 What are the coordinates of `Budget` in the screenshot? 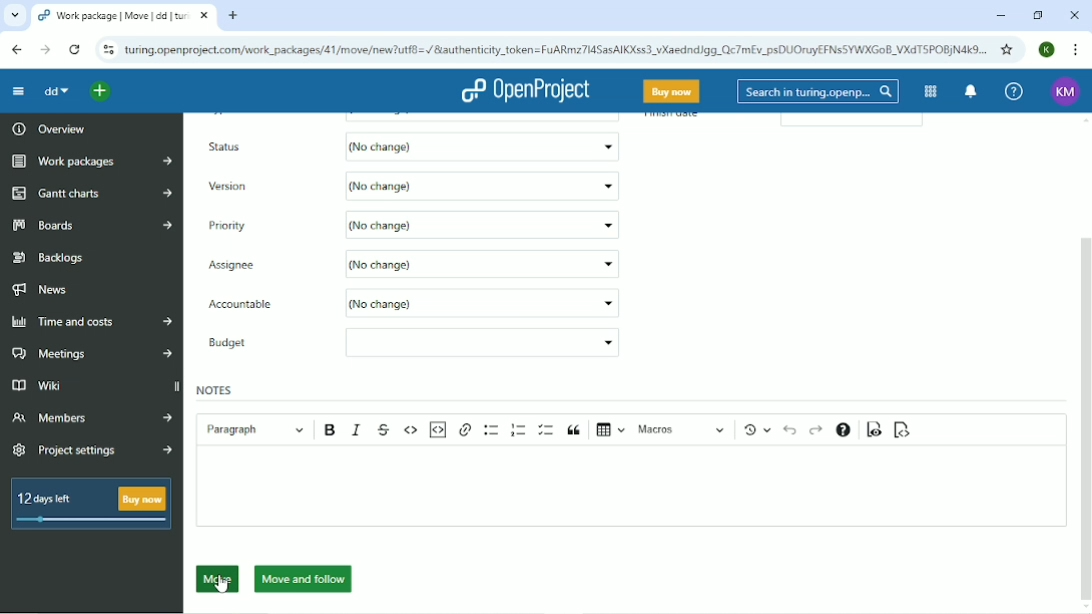 It's located at (232, 342).